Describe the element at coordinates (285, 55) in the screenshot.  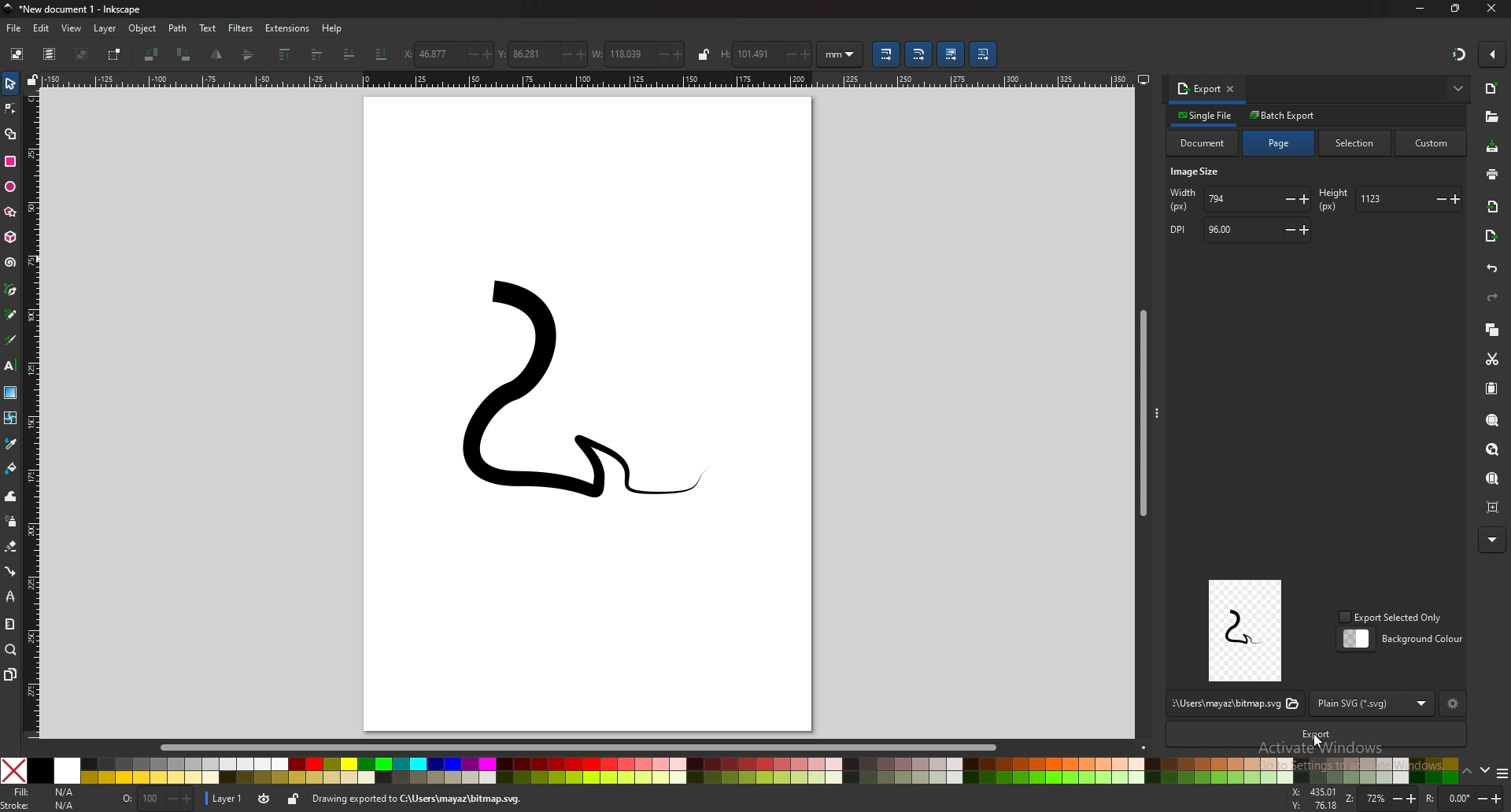
I see `raise selection to top` at that location.